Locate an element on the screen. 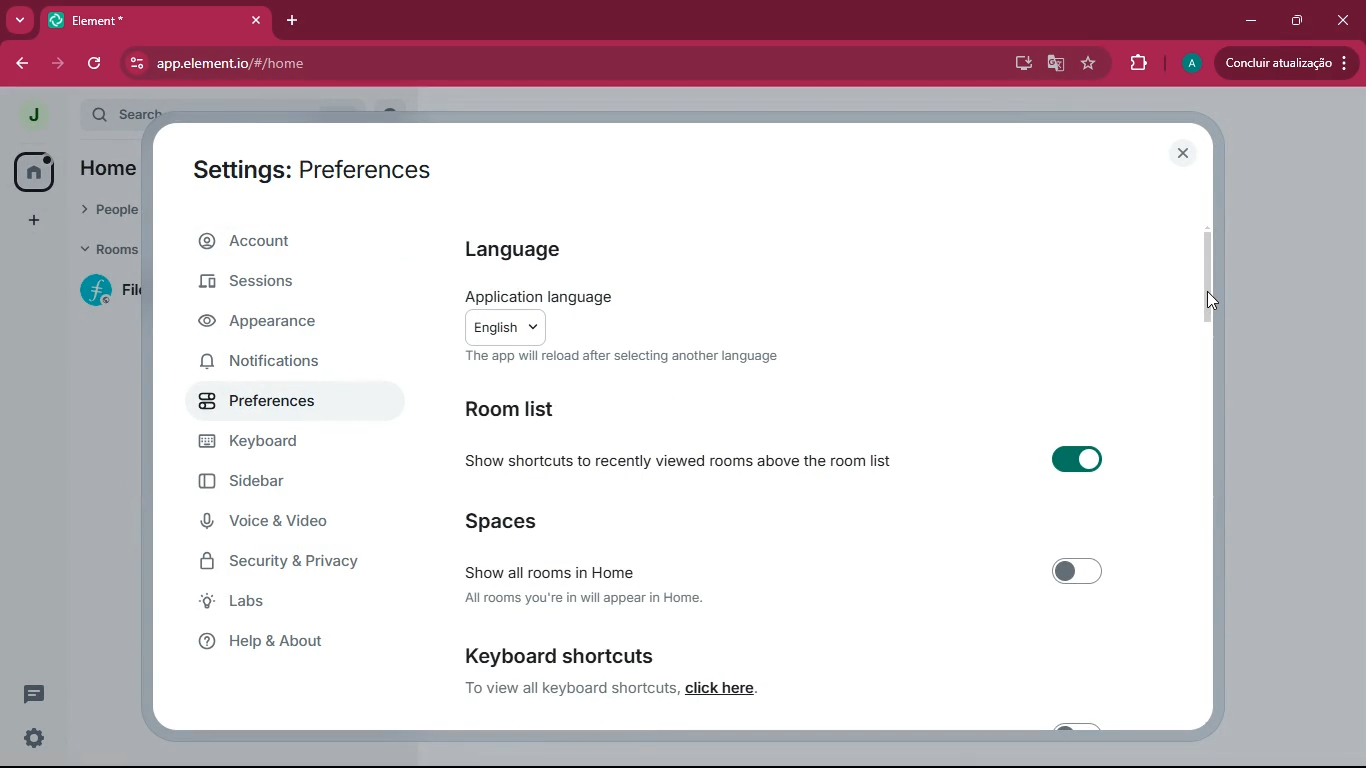 The width and height of the screenshot is (1366, 768). english is located at coordinates (506, 327).